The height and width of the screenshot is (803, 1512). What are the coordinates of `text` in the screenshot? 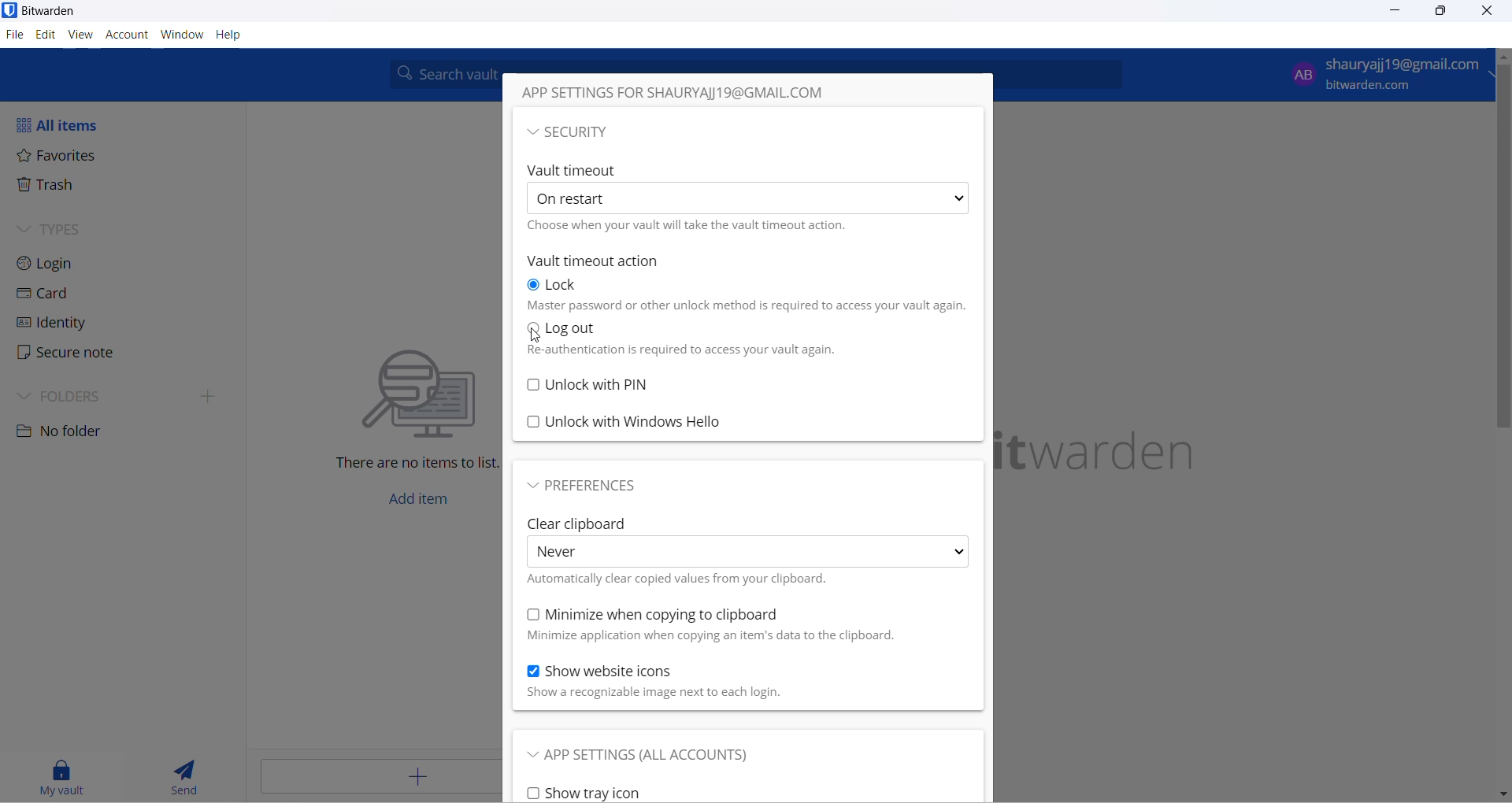 It's located at (673, 694).